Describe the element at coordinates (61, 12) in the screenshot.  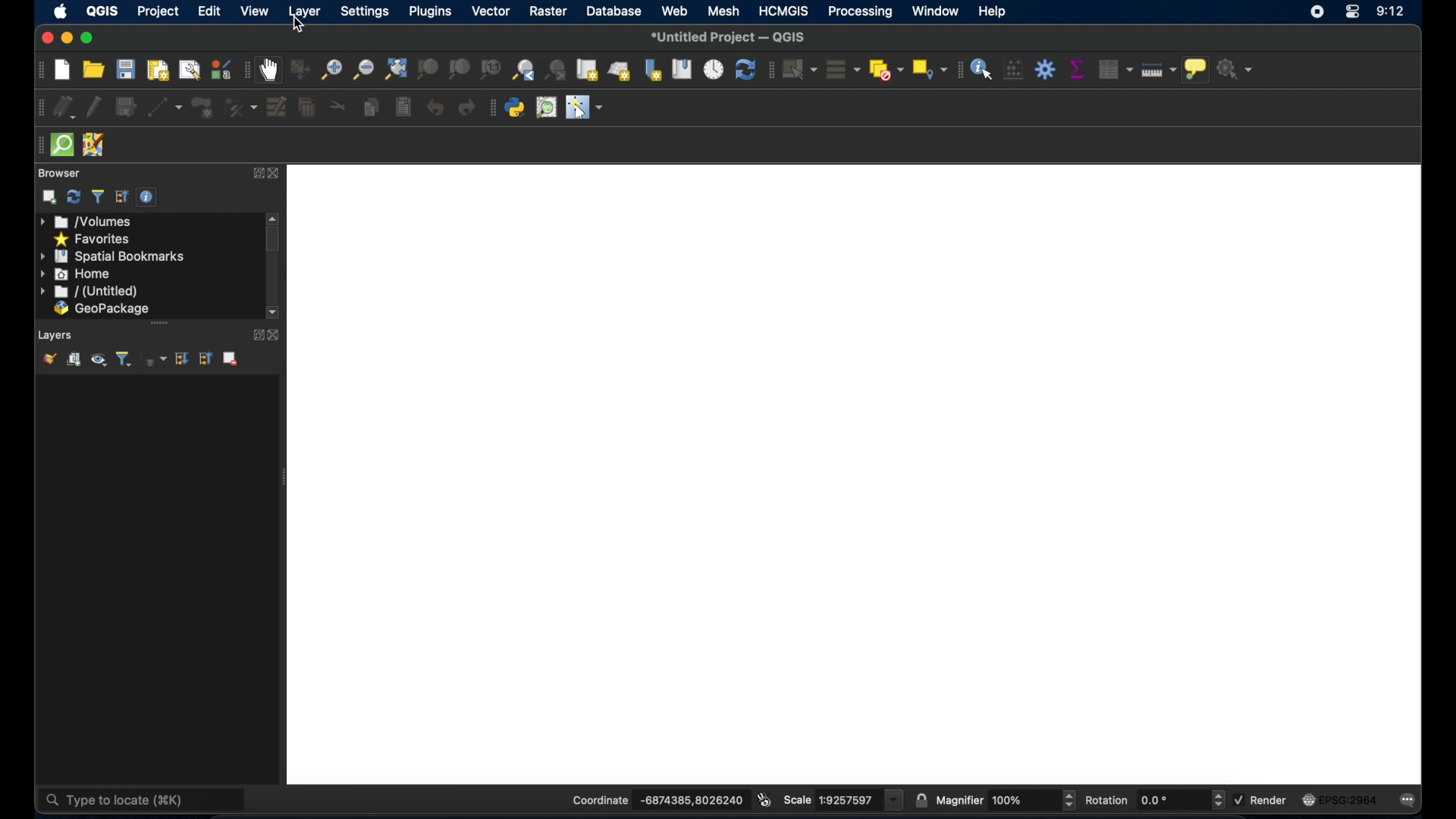
I see `appleicon` at that location.